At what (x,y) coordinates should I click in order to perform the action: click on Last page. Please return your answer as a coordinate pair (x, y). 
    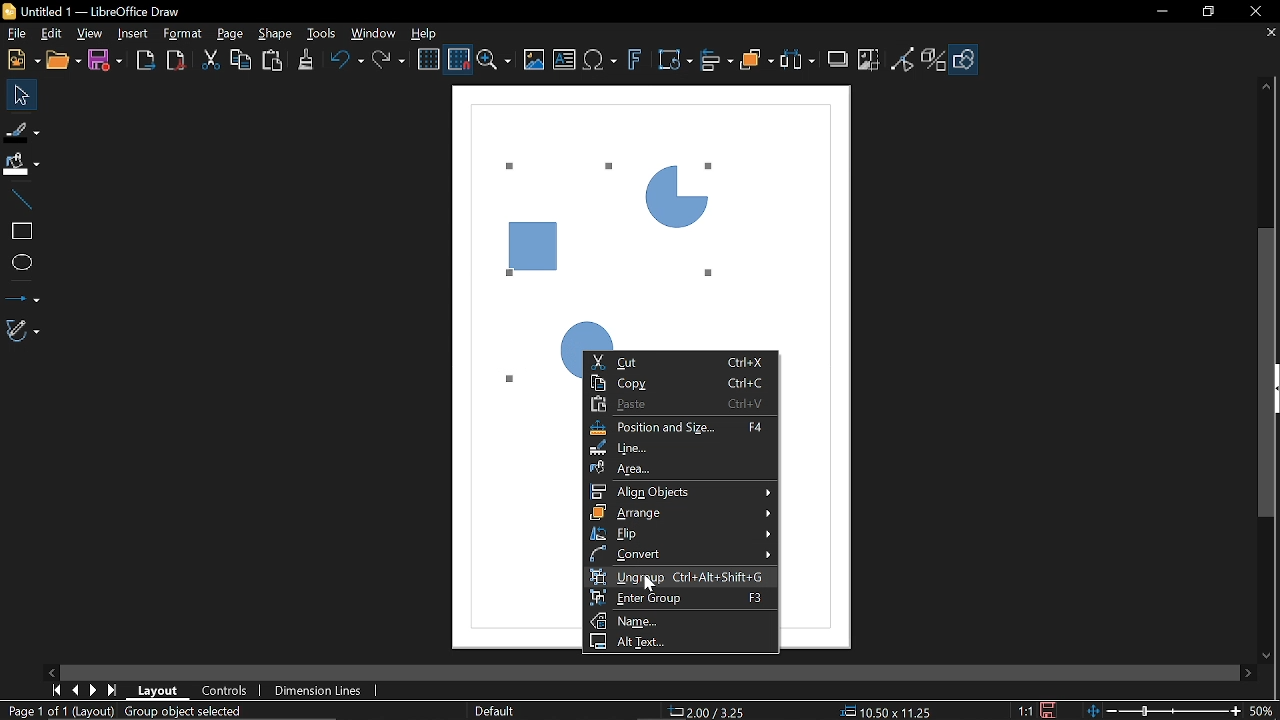
    Looking at the image, I should click on (115, 690).